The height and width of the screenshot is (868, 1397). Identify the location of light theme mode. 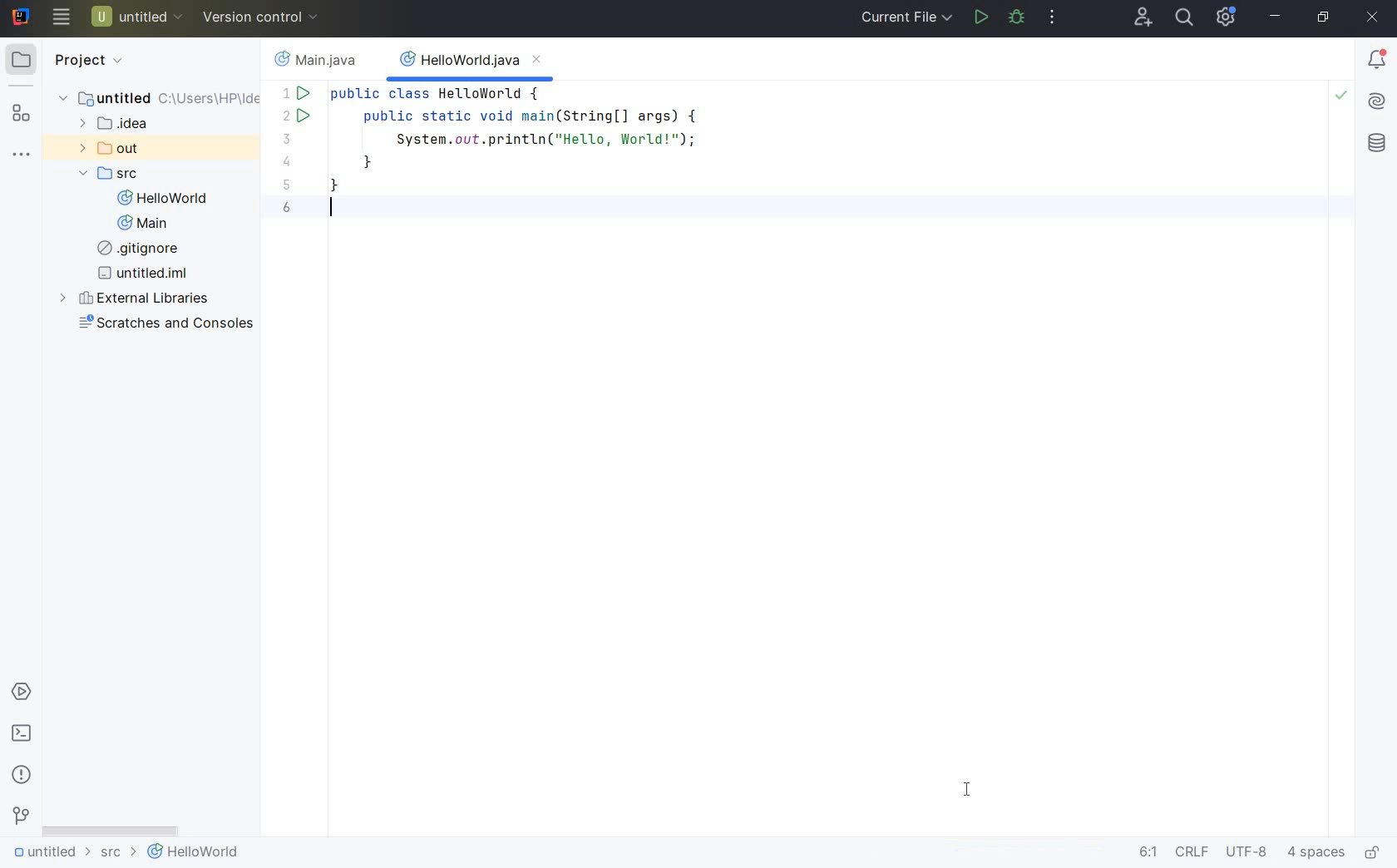
(703, 452).